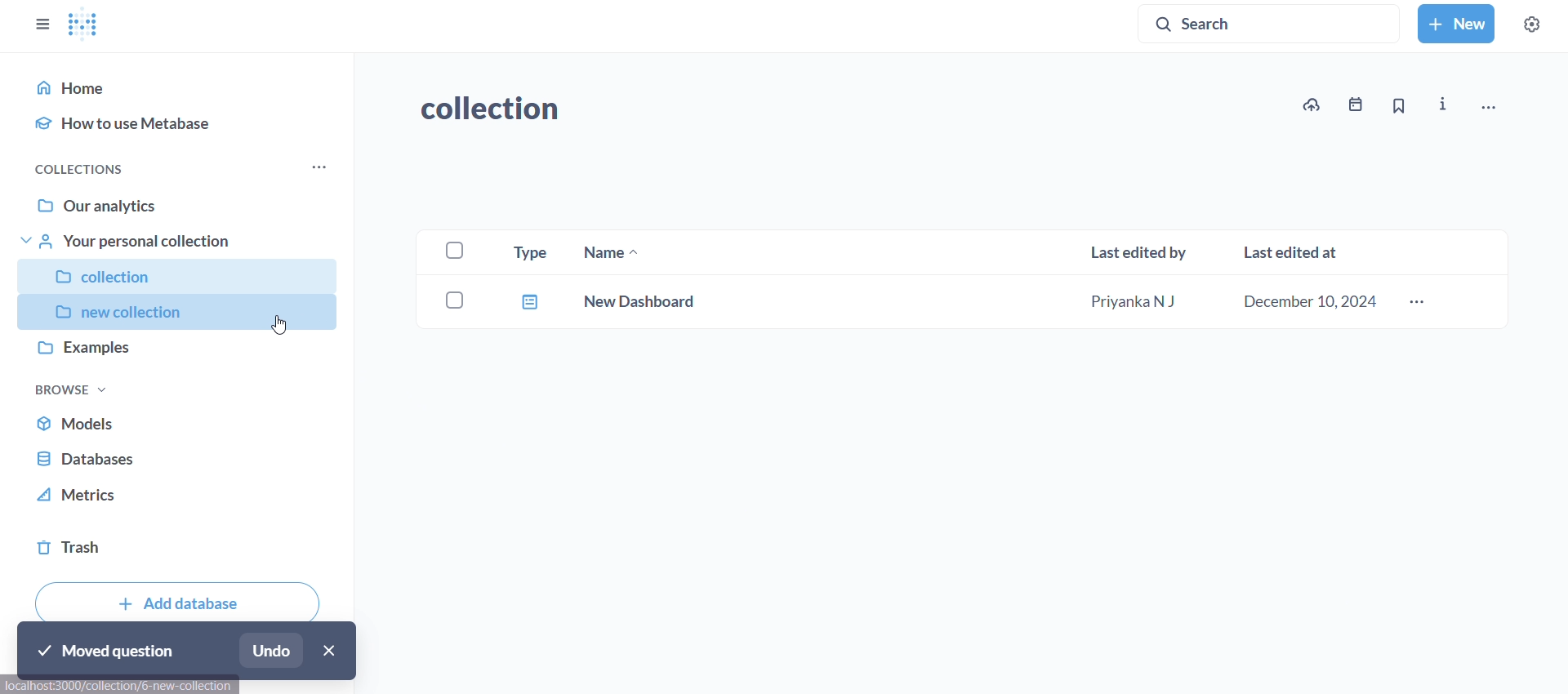 This screenshot has height=694, width=1568. What do you see at coordinates (71, 389) in the screenshot?
I see `browse` at bounding box center [71, 389].